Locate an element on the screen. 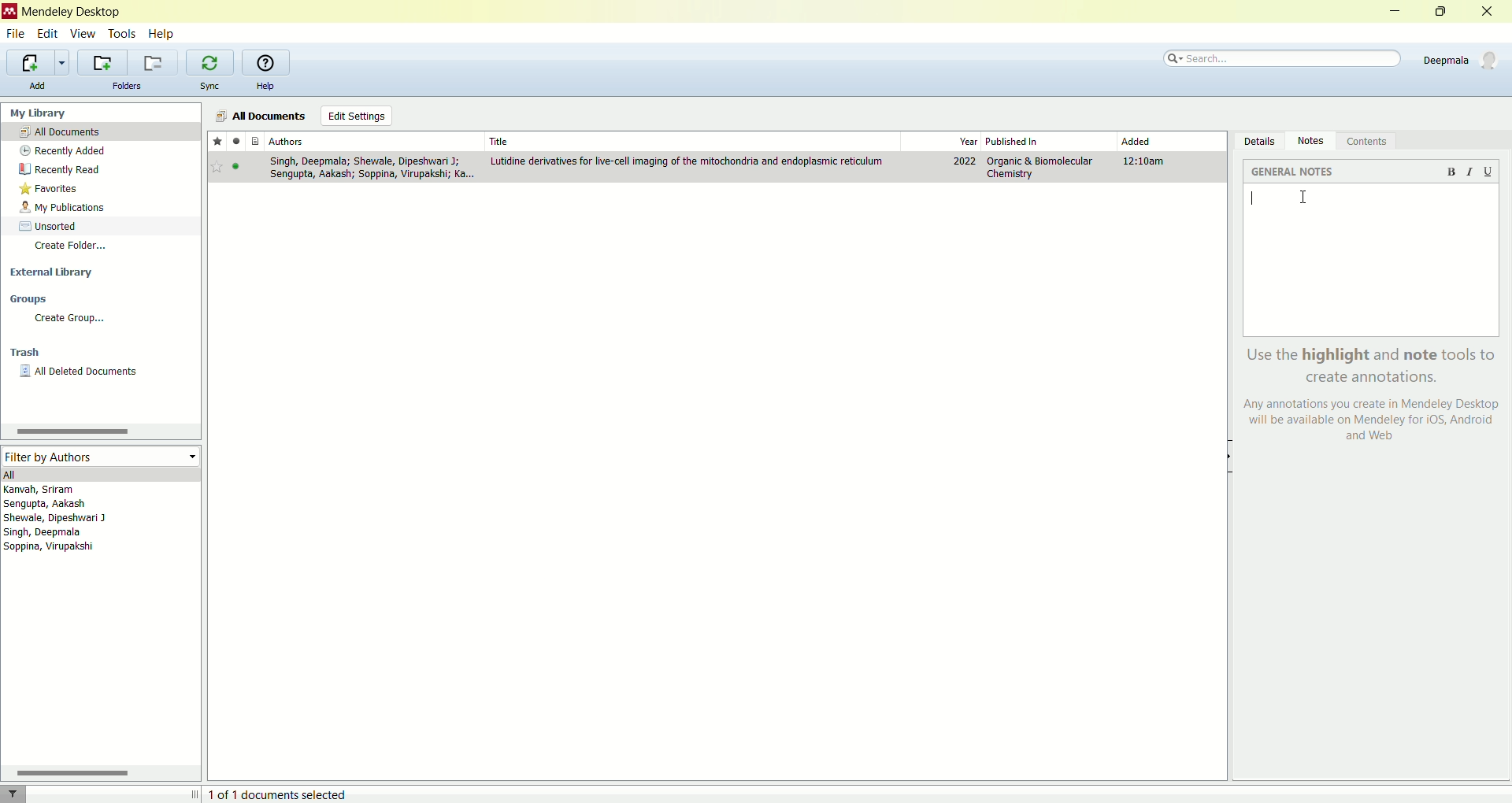 The image size is (1512, 803). Soppina, Virupakshi is located at coordinates (49, 549).